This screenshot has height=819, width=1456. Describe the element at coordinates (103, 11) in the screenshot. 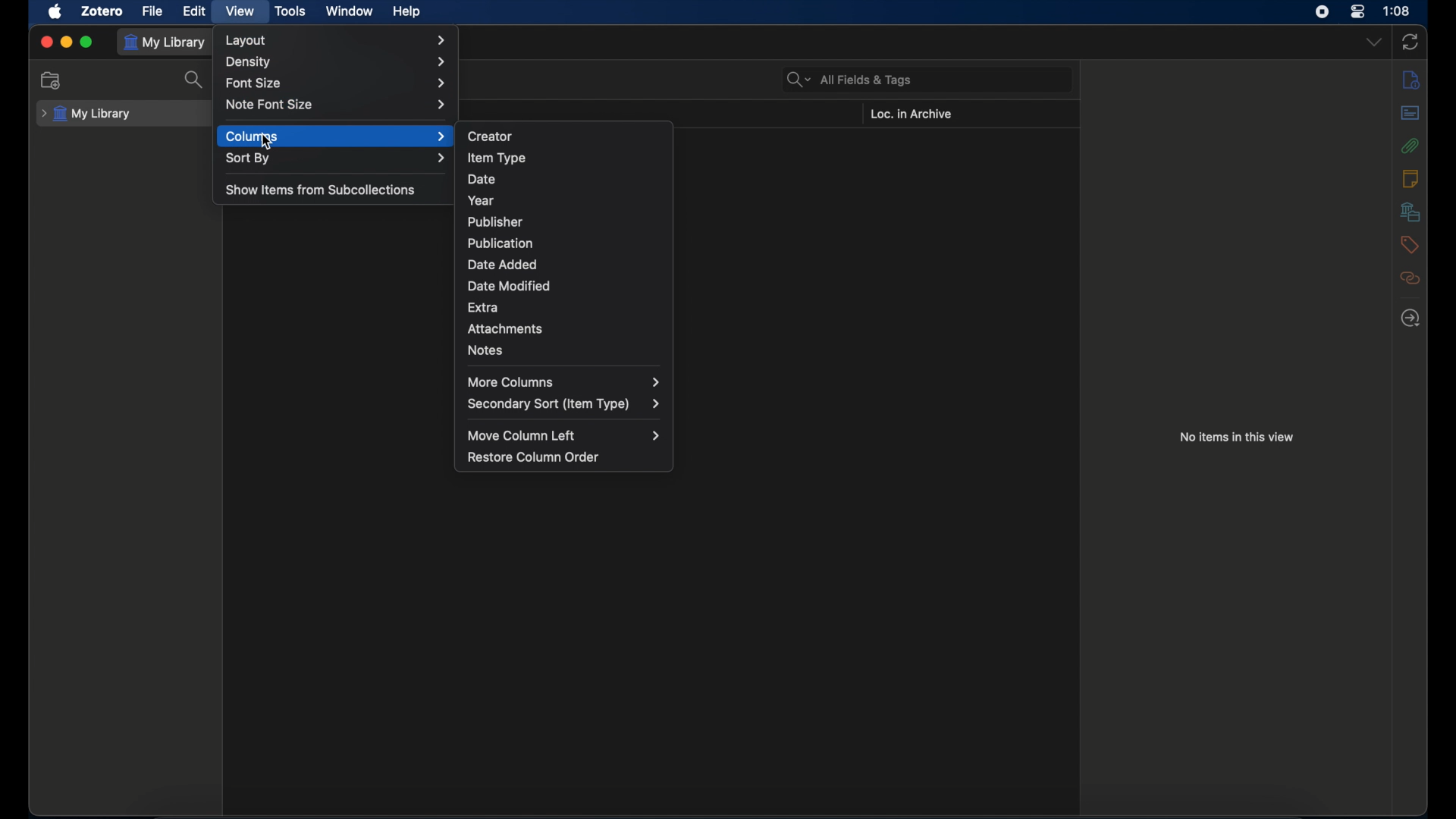

I see `zotero` at that location.